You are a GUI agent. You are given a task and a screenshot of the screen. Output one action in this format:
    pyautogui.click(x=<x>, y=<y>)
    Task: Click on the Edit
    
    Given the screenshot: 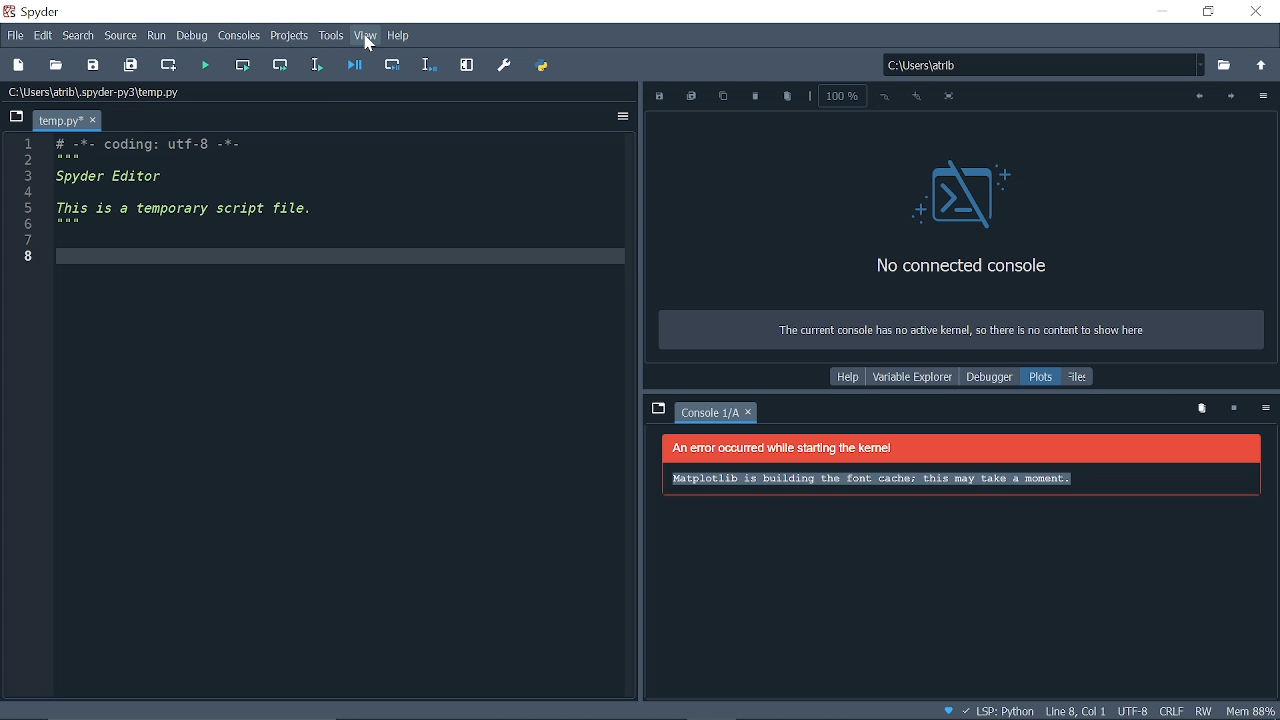 What is the action you would take?
    pyautogui.click(x=44, y=34)
    